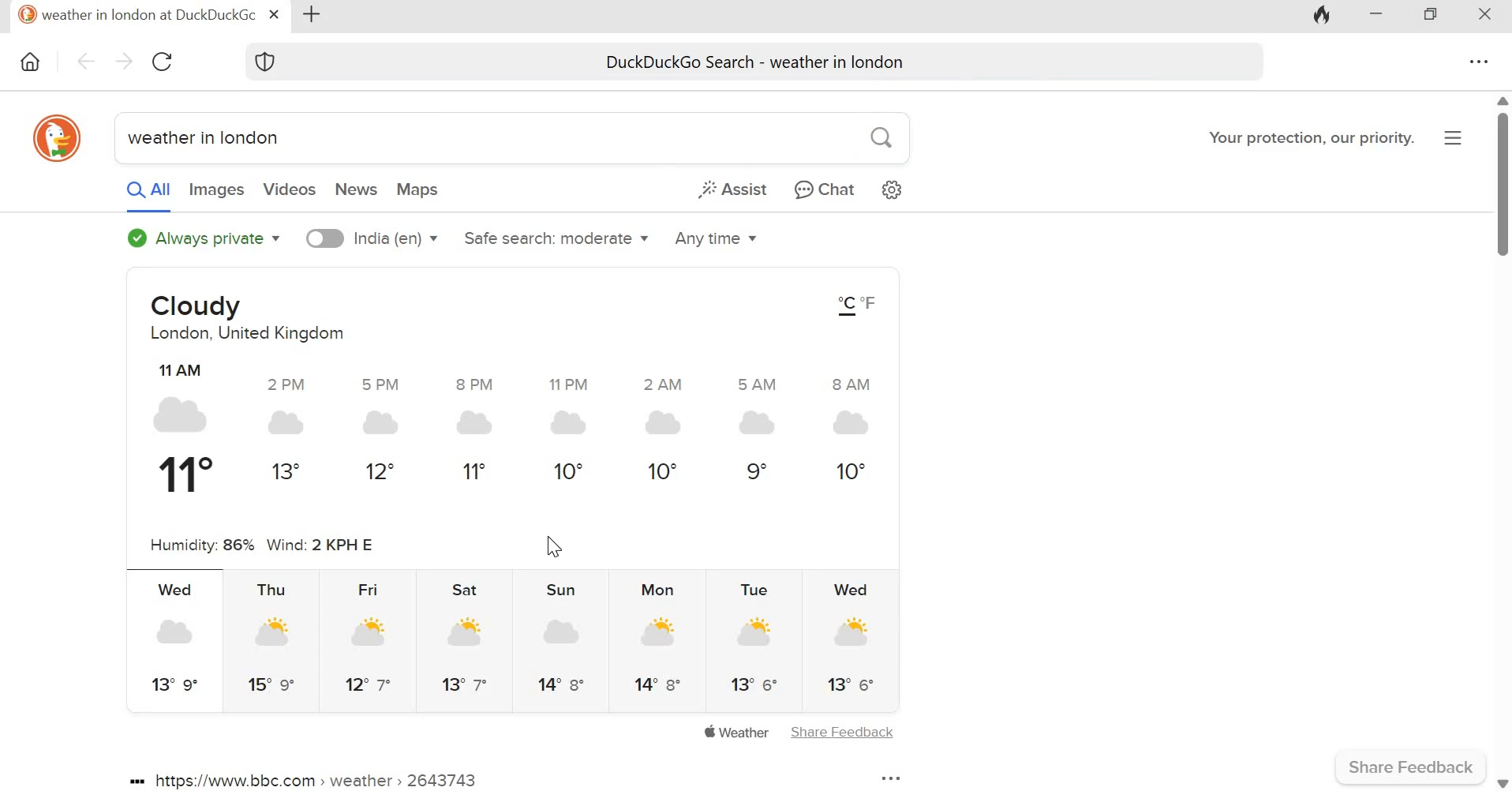  Describe the element at coordinates (380, 422) in the screenshot. I see `Indicates cloudy` at that location.